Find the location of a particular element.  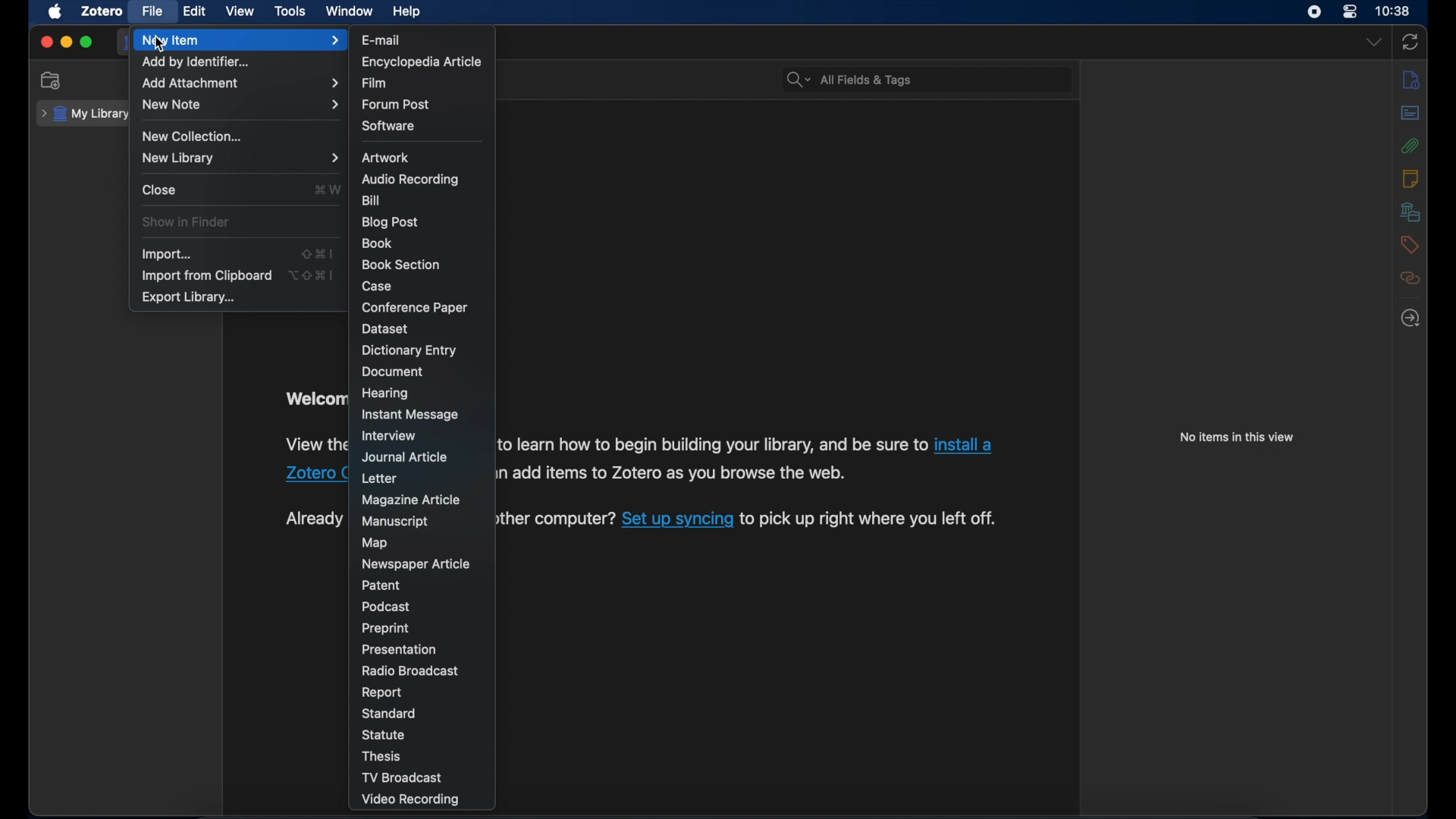

magazine article is located at coordinates (409, 501).